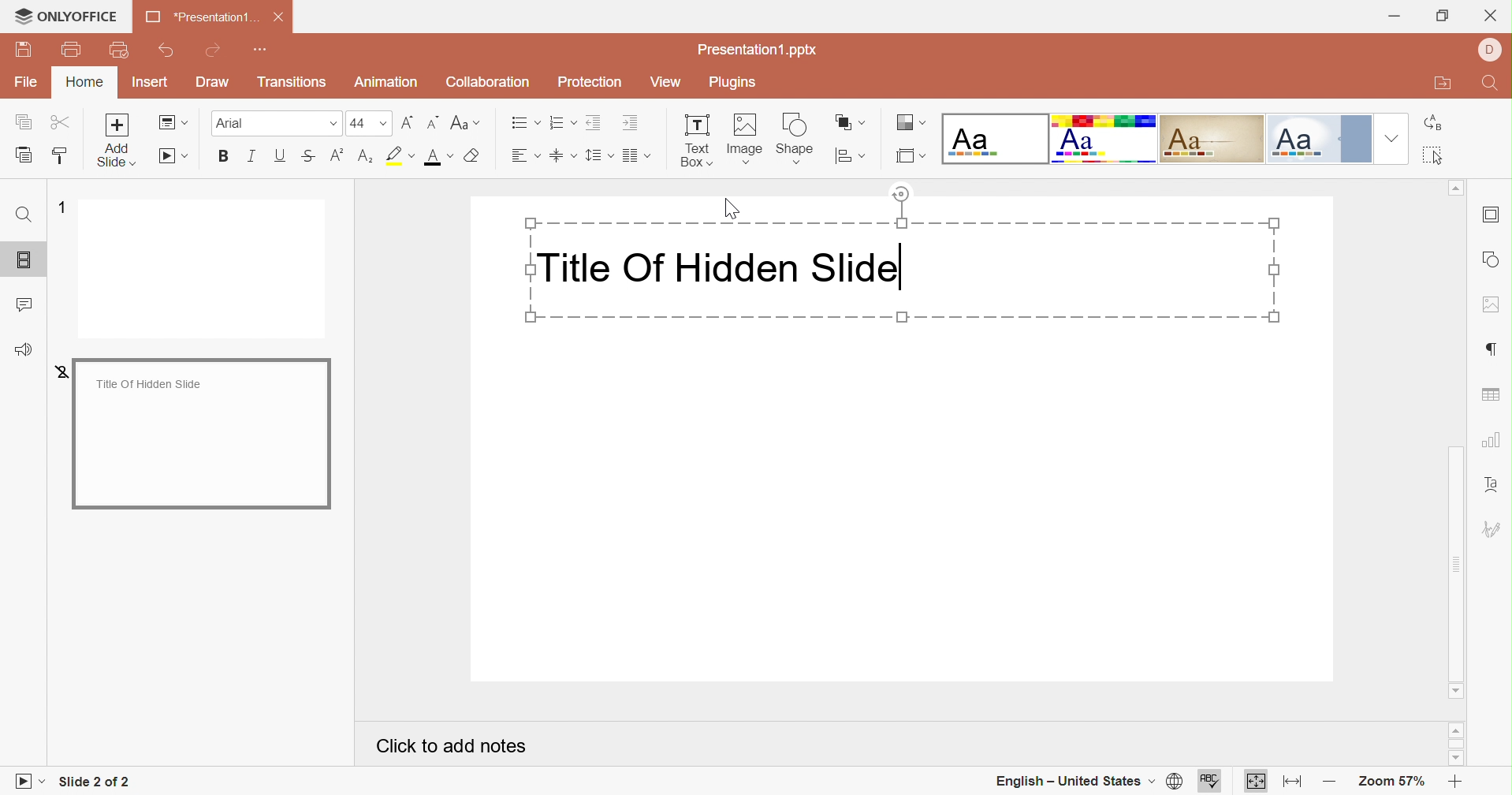  I want to click on Fit to width, so click(1294, 783).